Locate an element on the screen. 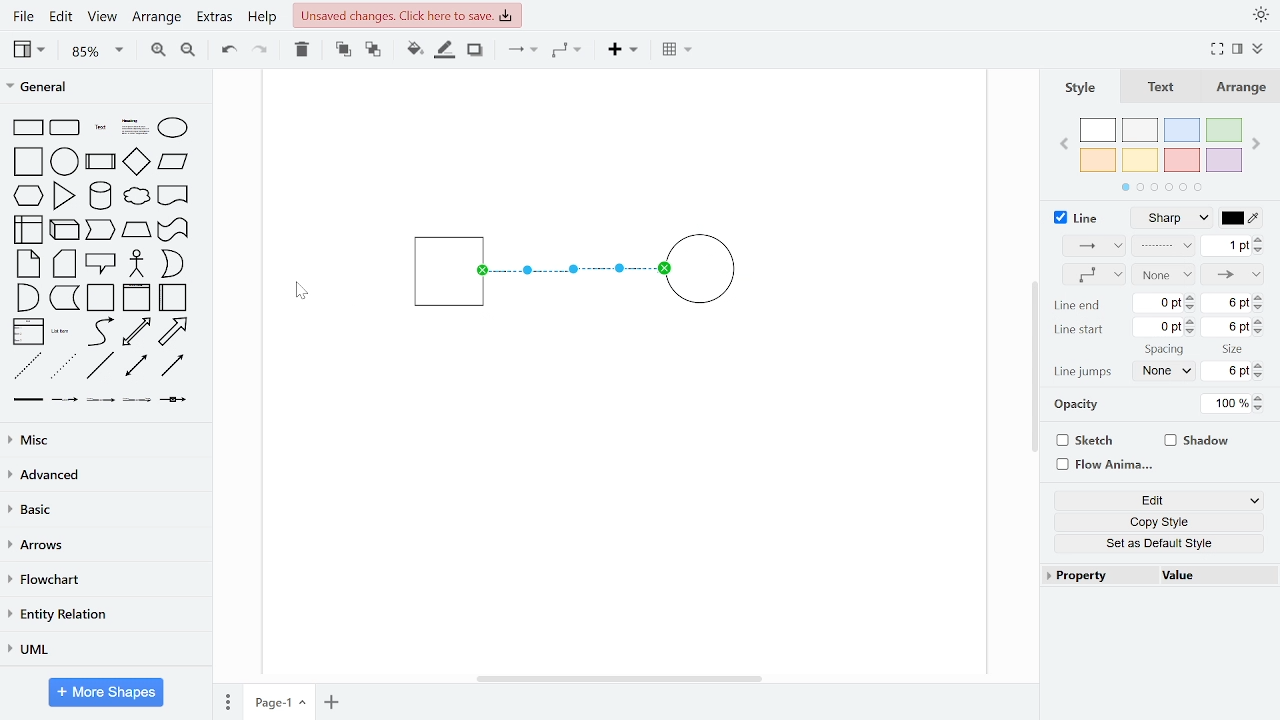 This screenshot has width=1280, height=720. bidirectional connector is located at coordinates (138, 366).